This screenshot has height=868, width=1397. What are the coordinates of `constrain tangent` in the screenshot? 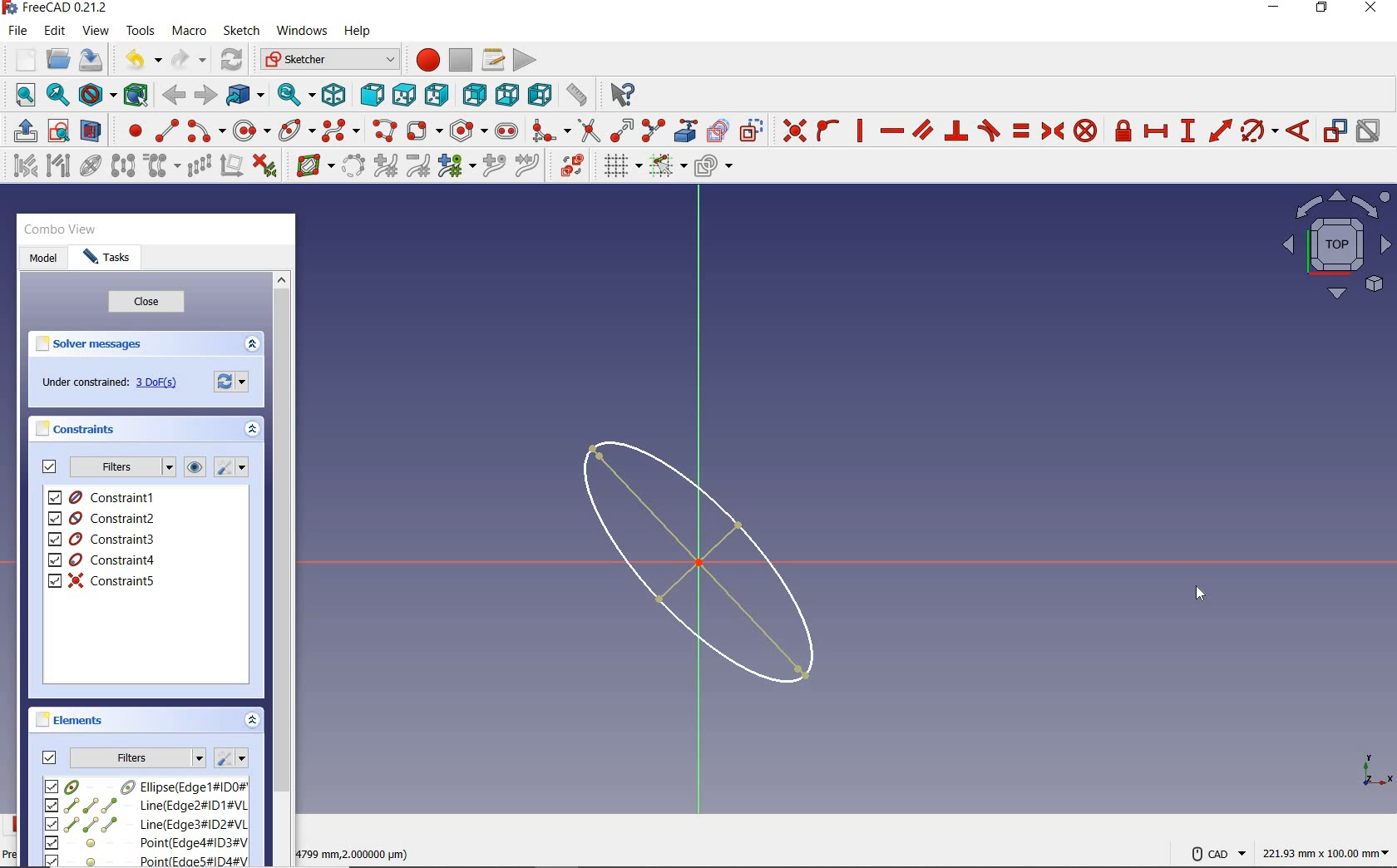 It's located at (990, 129).